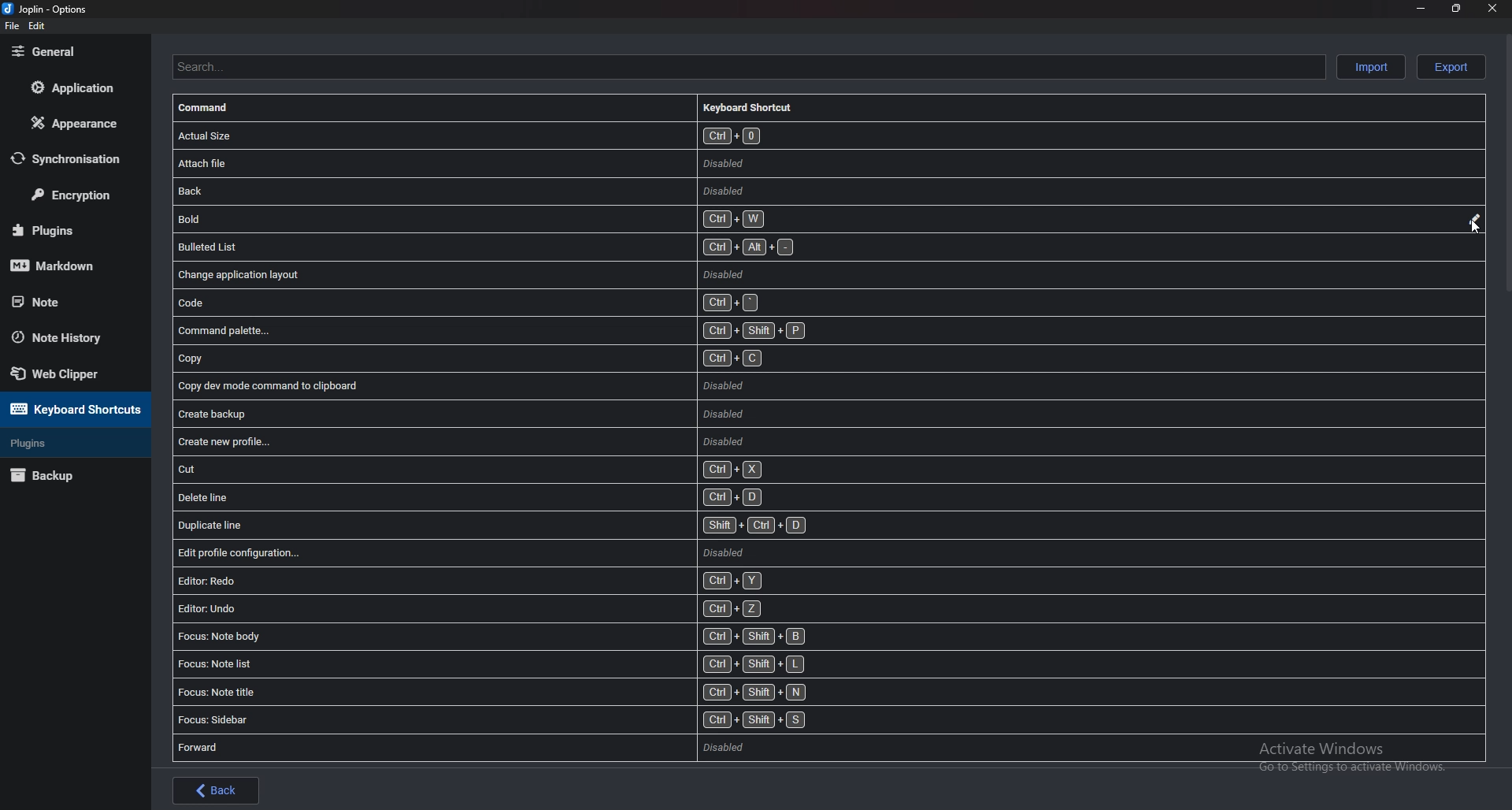 This screenshot has width=1512, height=810. I want to click on Cursor, so click(1477, 228).